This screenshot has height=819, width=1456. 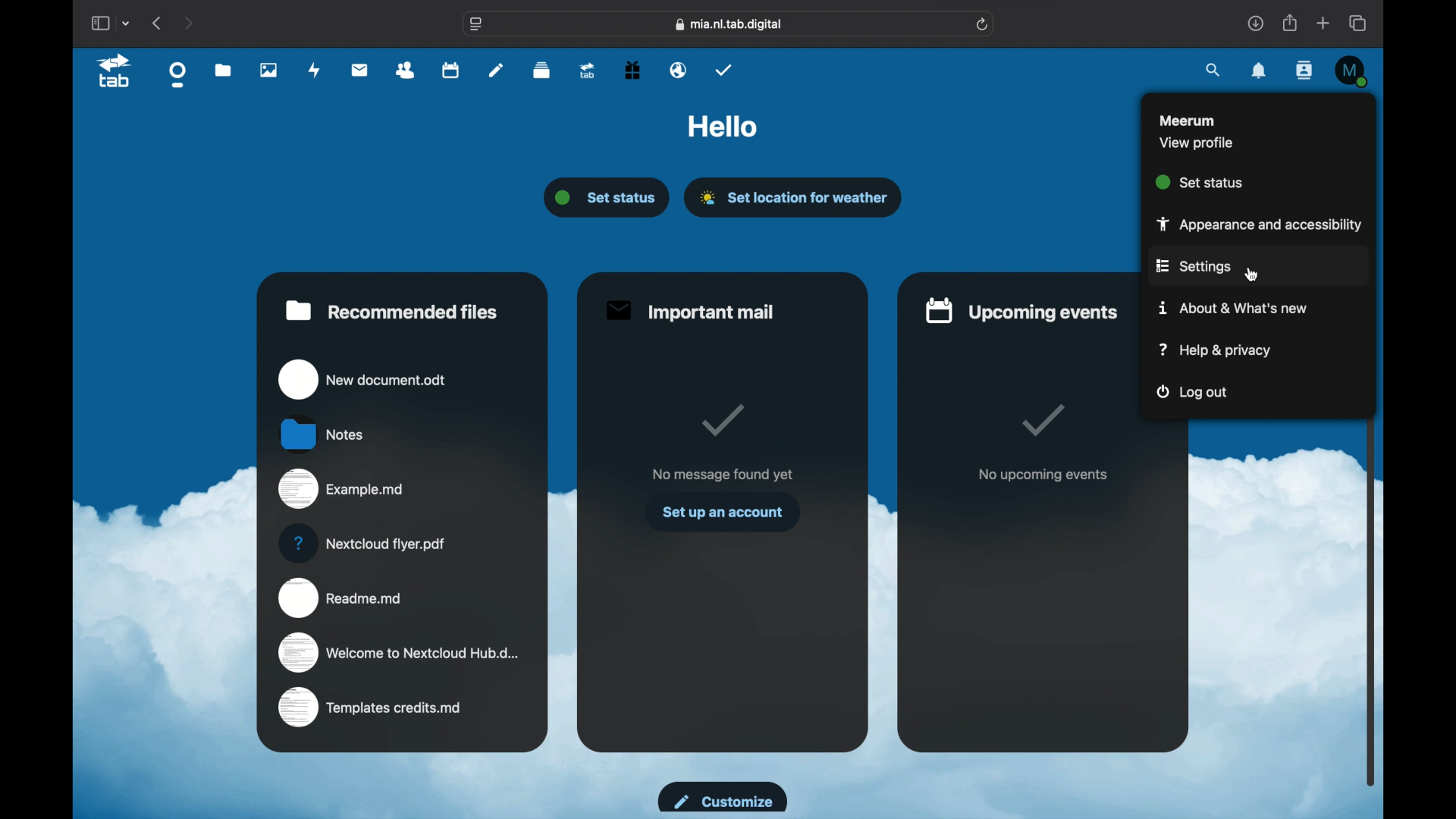 What do you see at coordinates (793, 197) in the screenshot?
I see `set location for weather` at bounding box center [793, 197].